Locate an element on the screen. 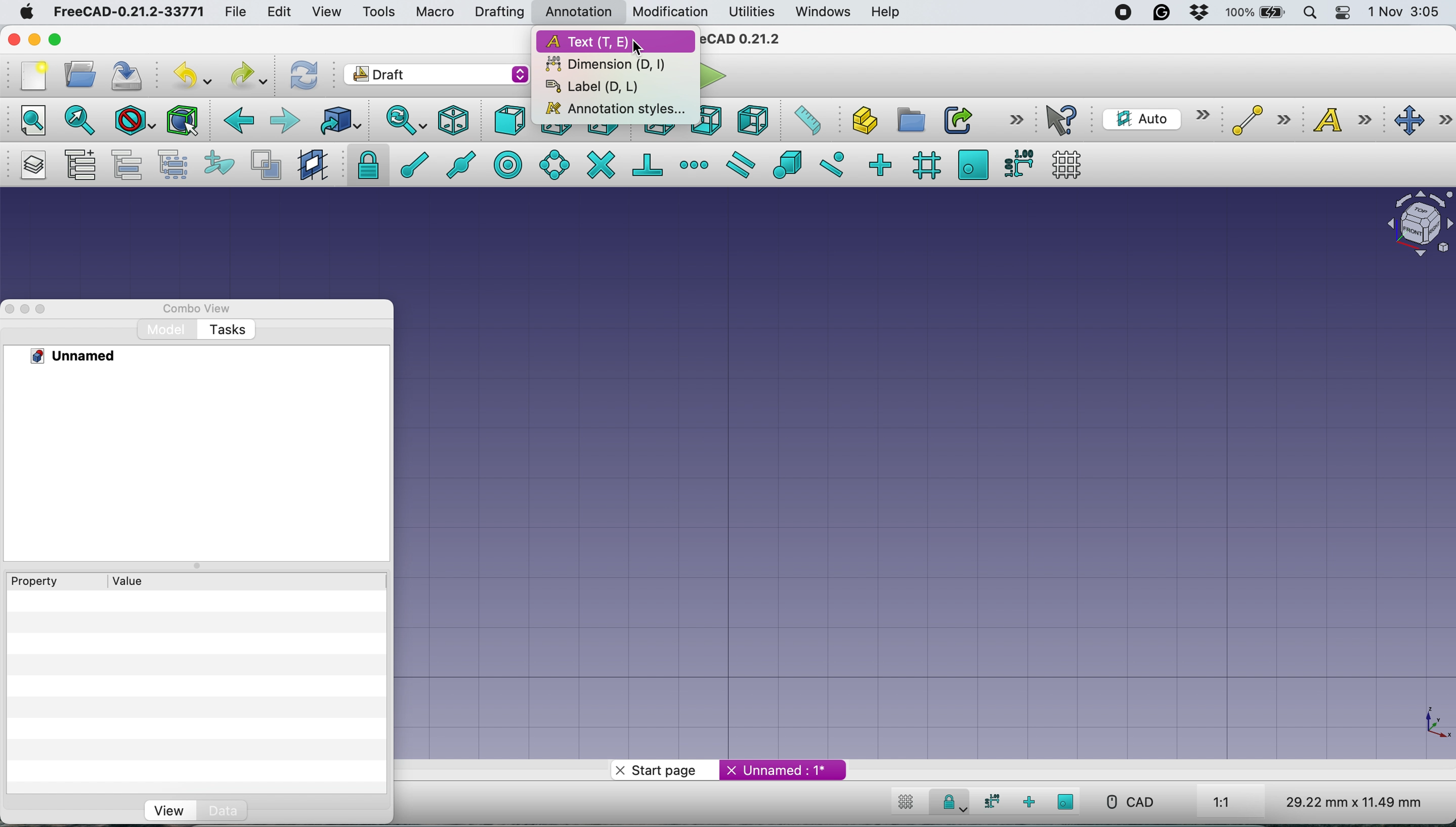 Image resolution: width=1456 pixels, height=827 pixels. windows is located at coordinates (820, 11).